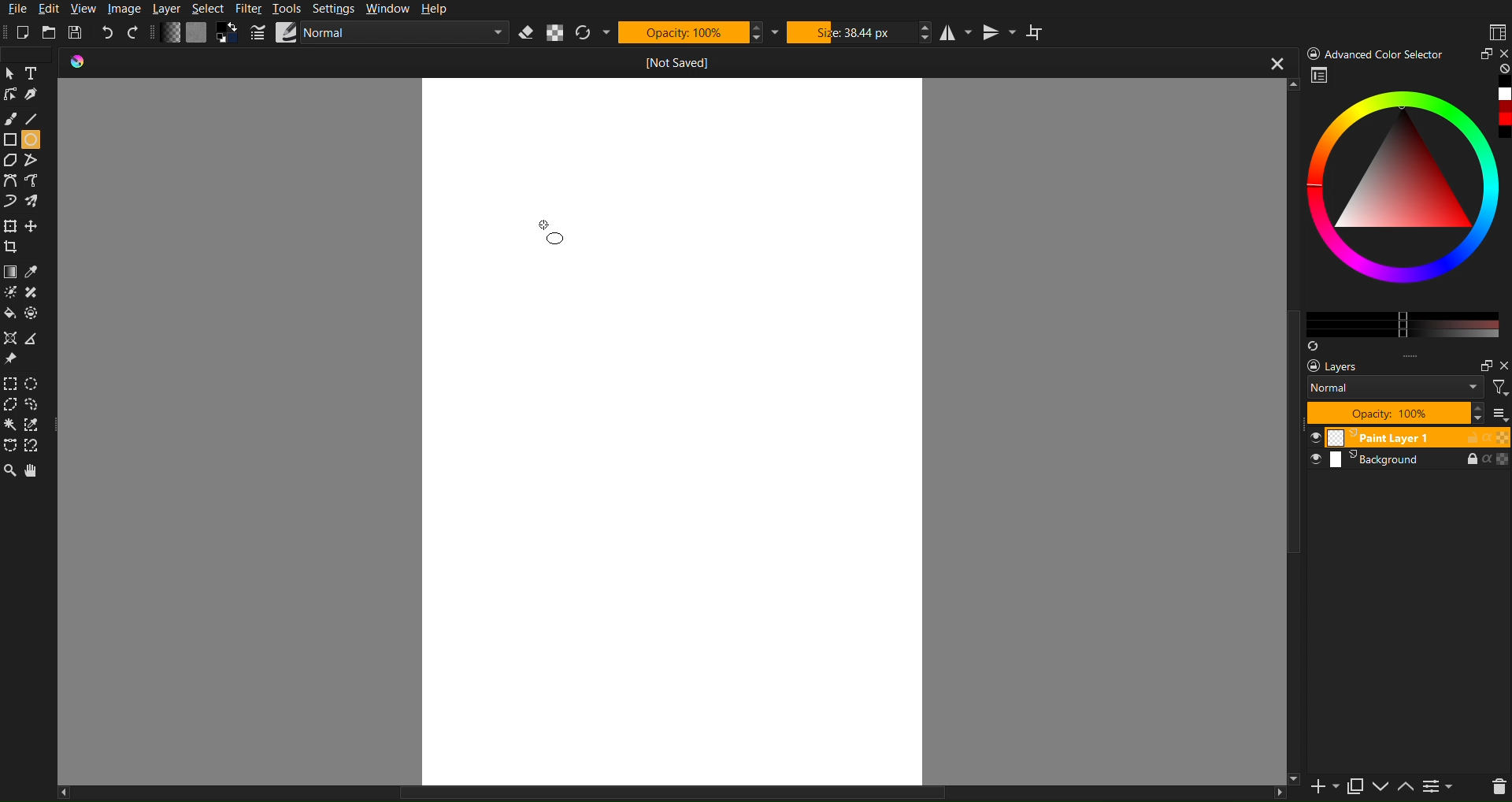 Image resolution: width=1512 pixels, height=802 pixels. Describe the element at coordinates (80, 32) in the screenshot. I see `Save` at that location.